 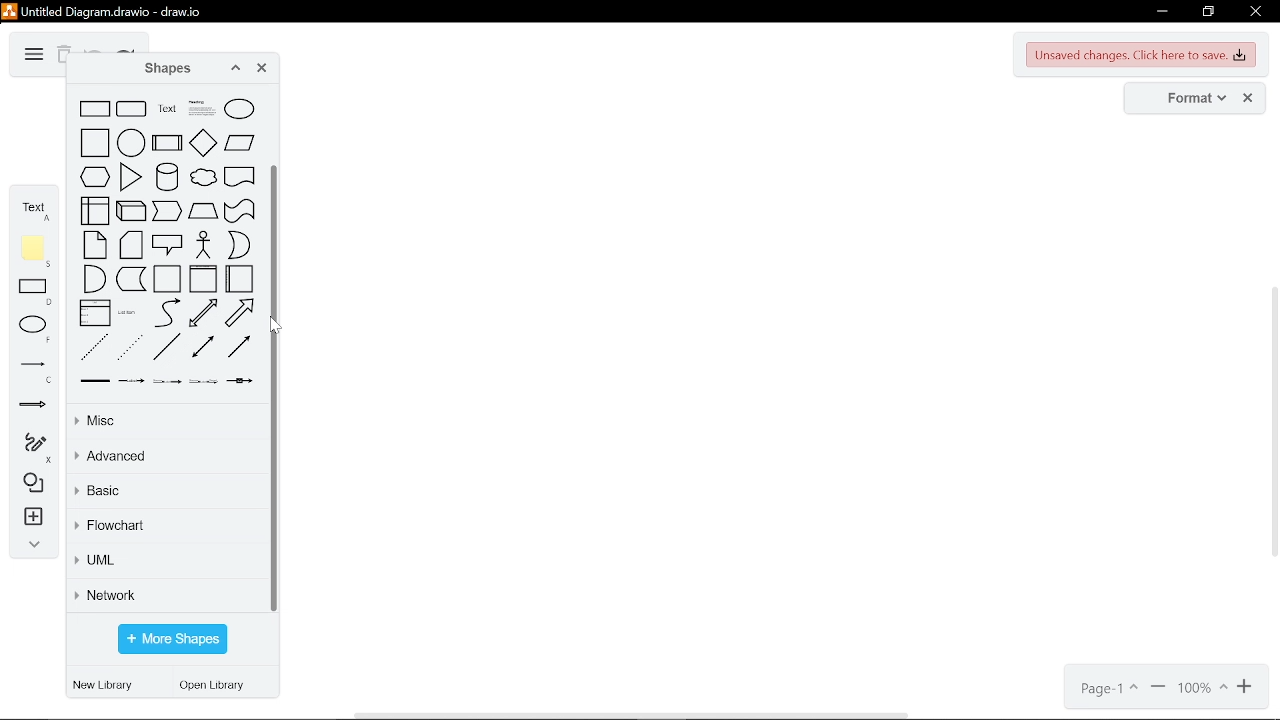 I want to click on untitled diagram.drawio - draw-io, so click(x=114, y=10).